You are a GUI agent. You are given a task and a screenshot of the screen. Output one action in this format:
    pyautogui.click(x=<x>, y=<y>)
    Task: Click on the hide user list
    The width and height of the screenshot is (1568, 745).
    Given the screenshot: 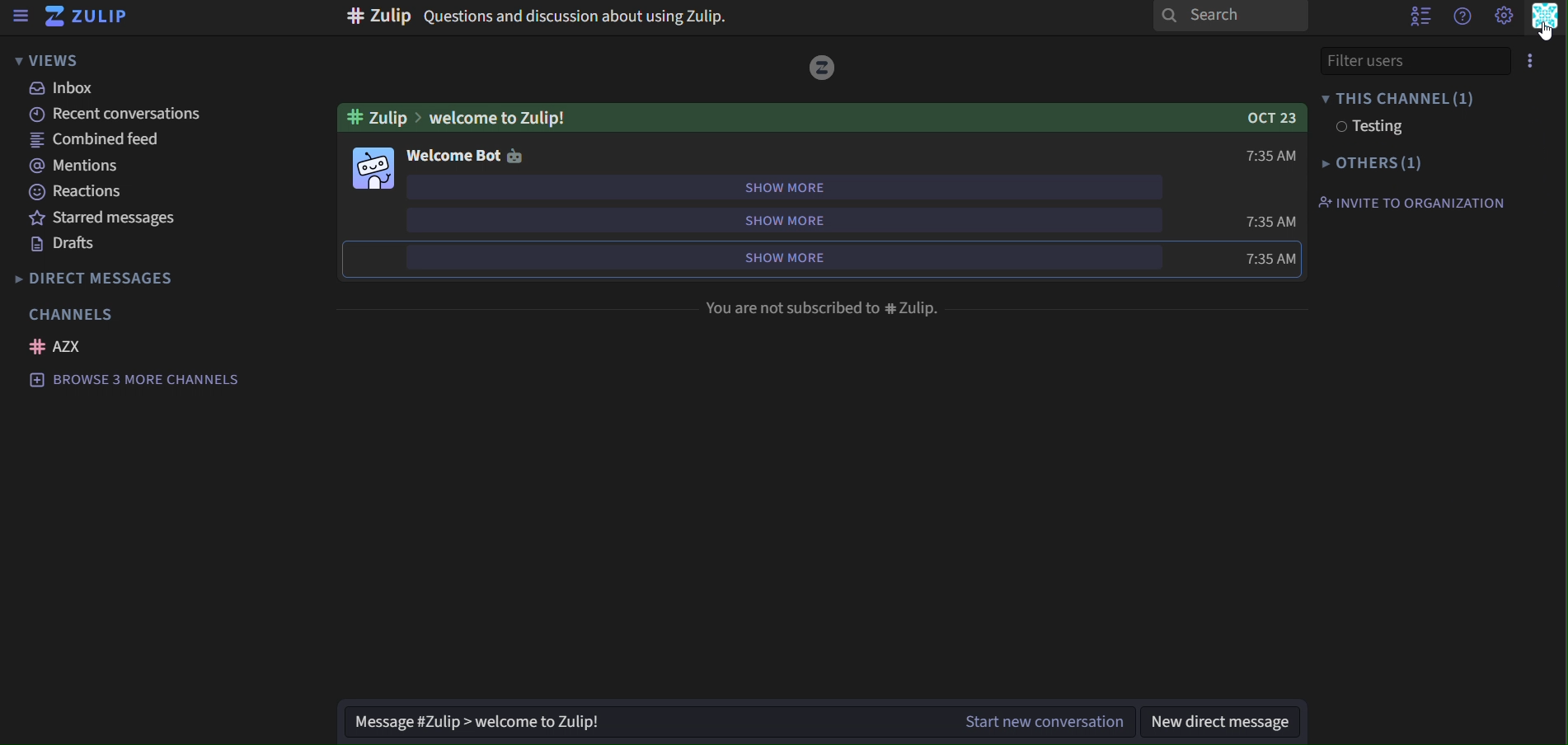 What is the action you would take?
    pyautogui.click(x=1415, y=17)
    